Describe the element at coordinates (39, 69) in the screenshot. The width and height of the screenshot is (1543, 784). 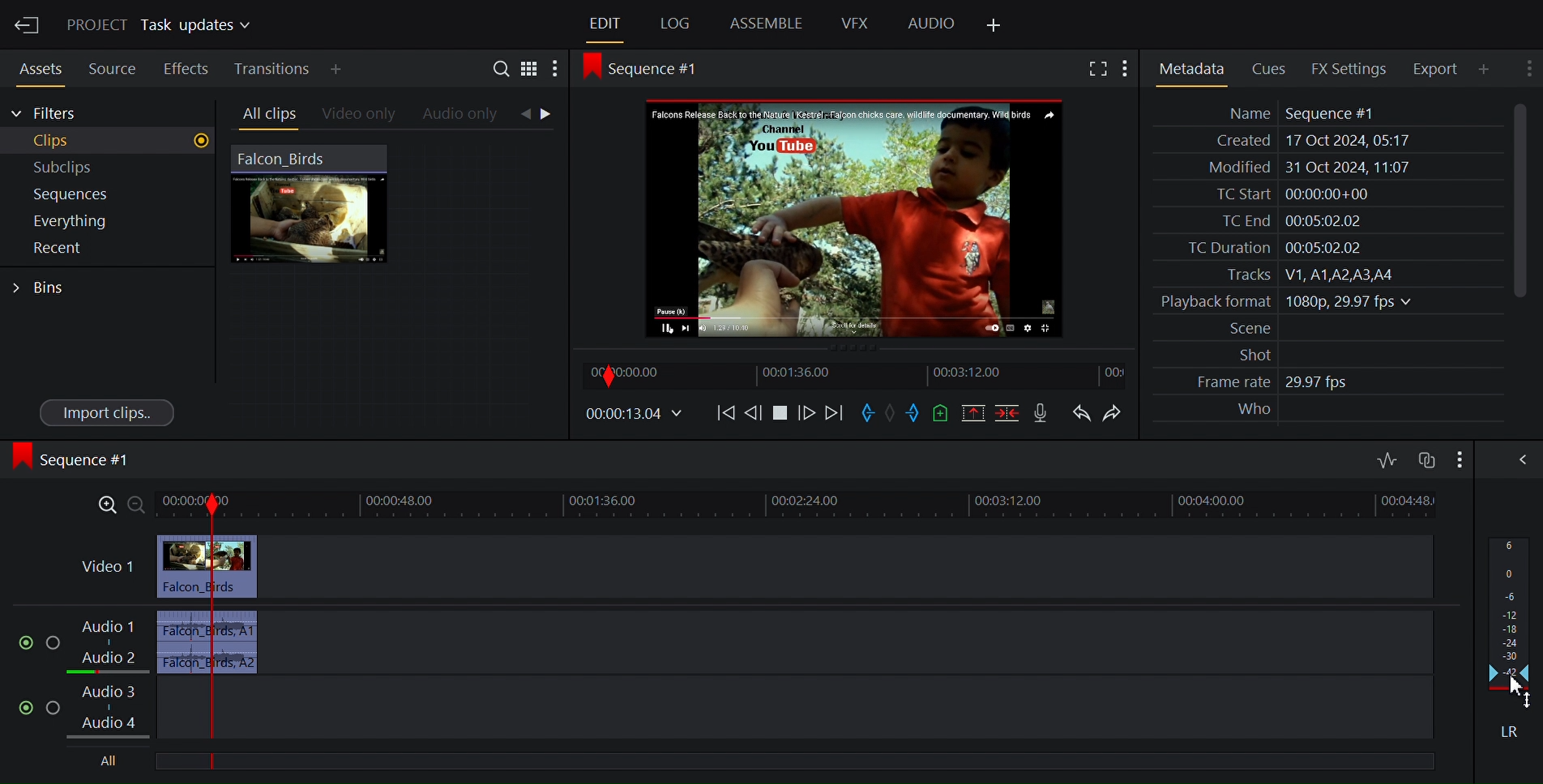
I see `Assets` at that location.